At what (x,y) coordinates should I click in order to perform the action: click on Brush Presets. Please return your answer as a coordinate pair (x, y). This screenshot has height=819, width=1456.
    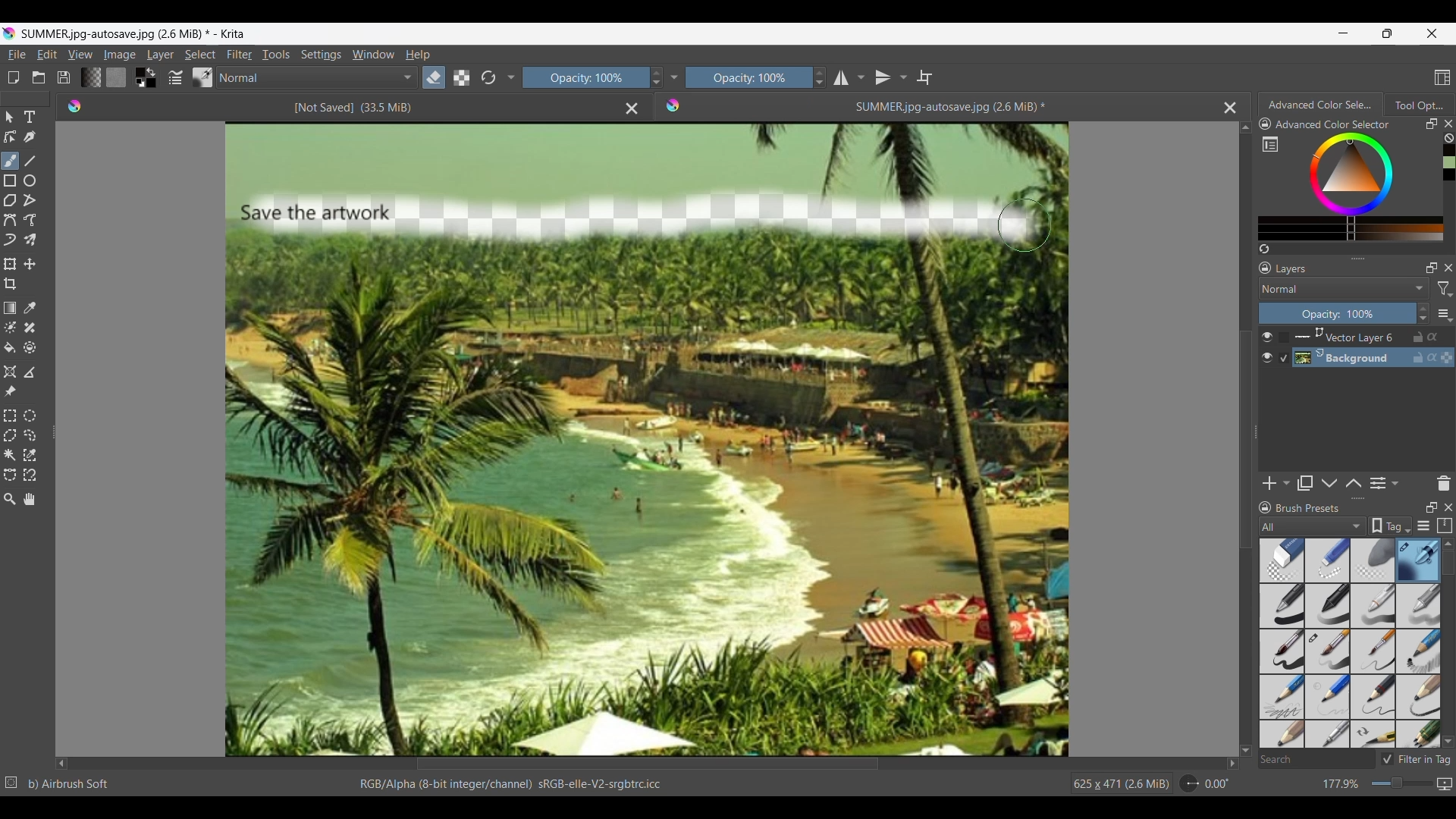
    Looking at the image, I should click on (1310, 509).